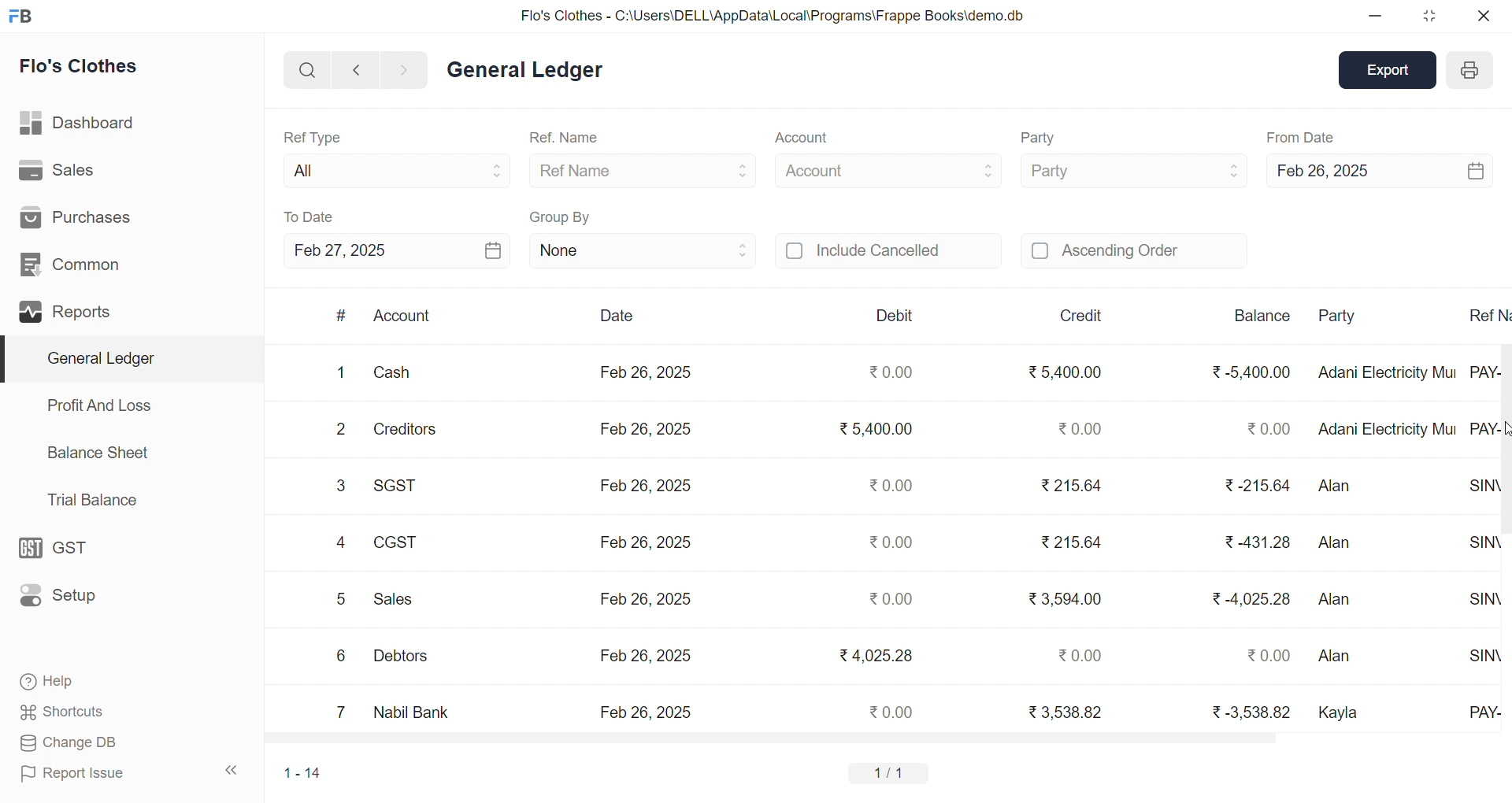 This screenshot has width=1512, height=803. I want to click on SINV-, so click(1471, 656).